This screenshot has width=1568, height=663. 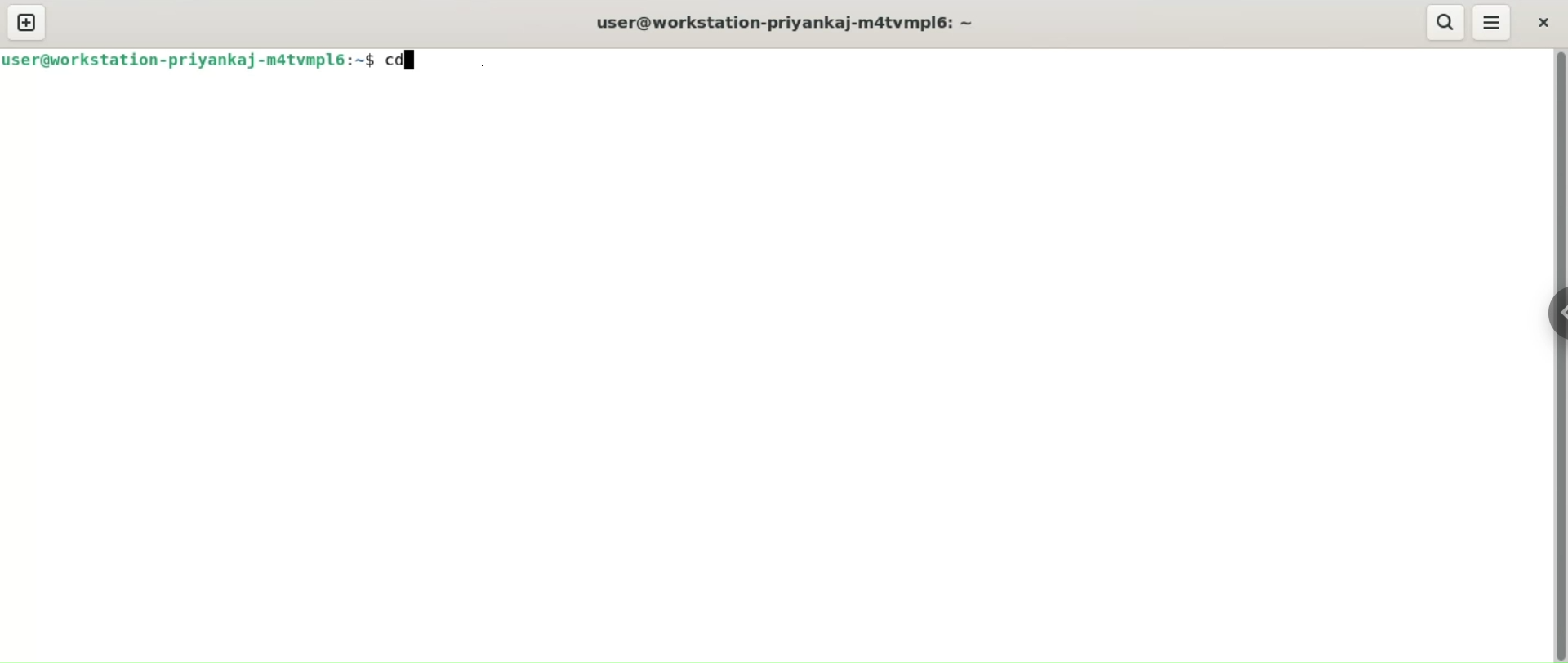 What do you see at coordinates (1446, 23) in the screenshot?
I see `search` at bounding box center [1446, 23].